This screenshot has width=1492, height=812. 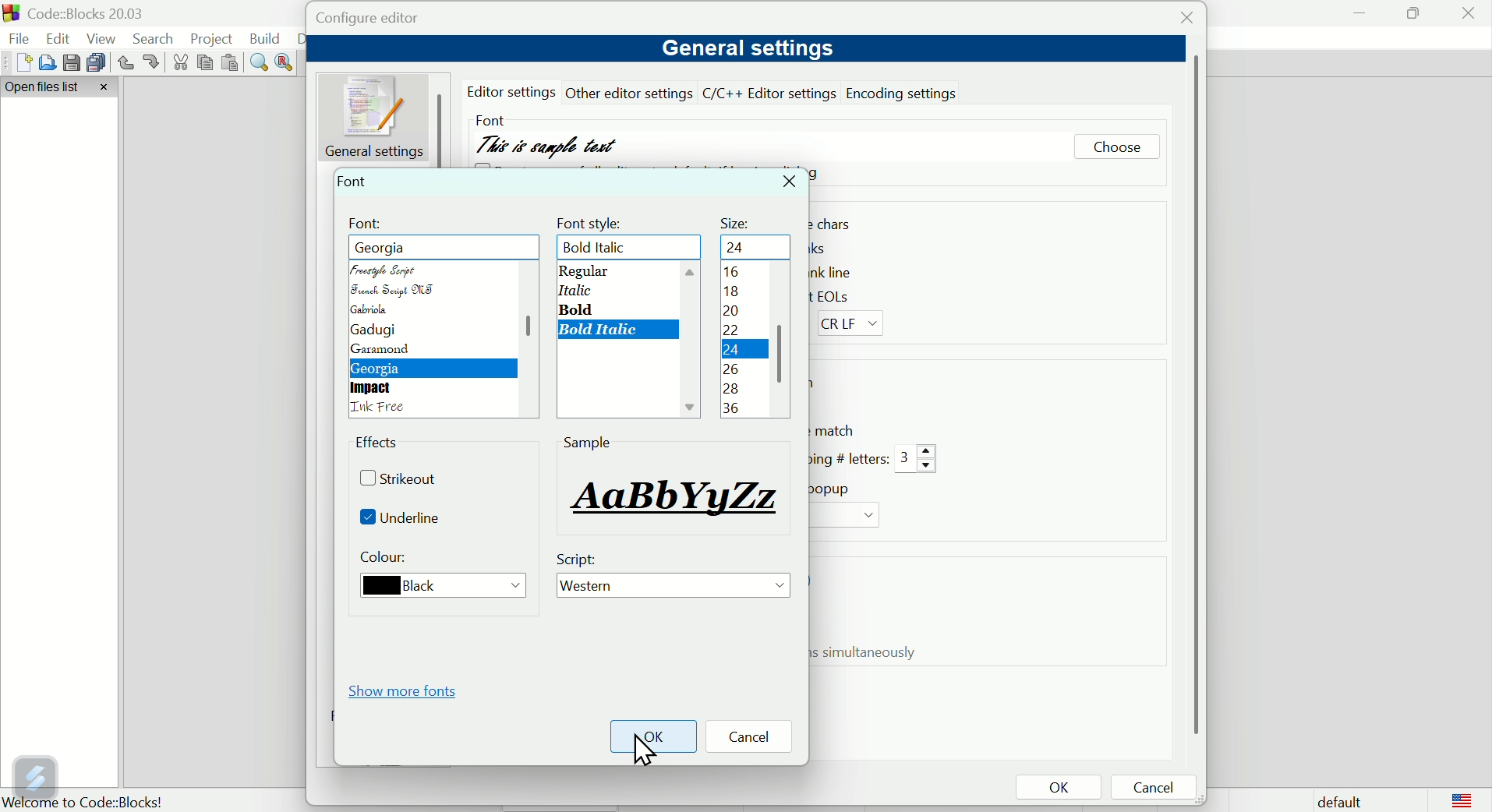 What do you see at coordinates (731, 312) in the screenshot?
I see `20` at bounding box center [731, 312].